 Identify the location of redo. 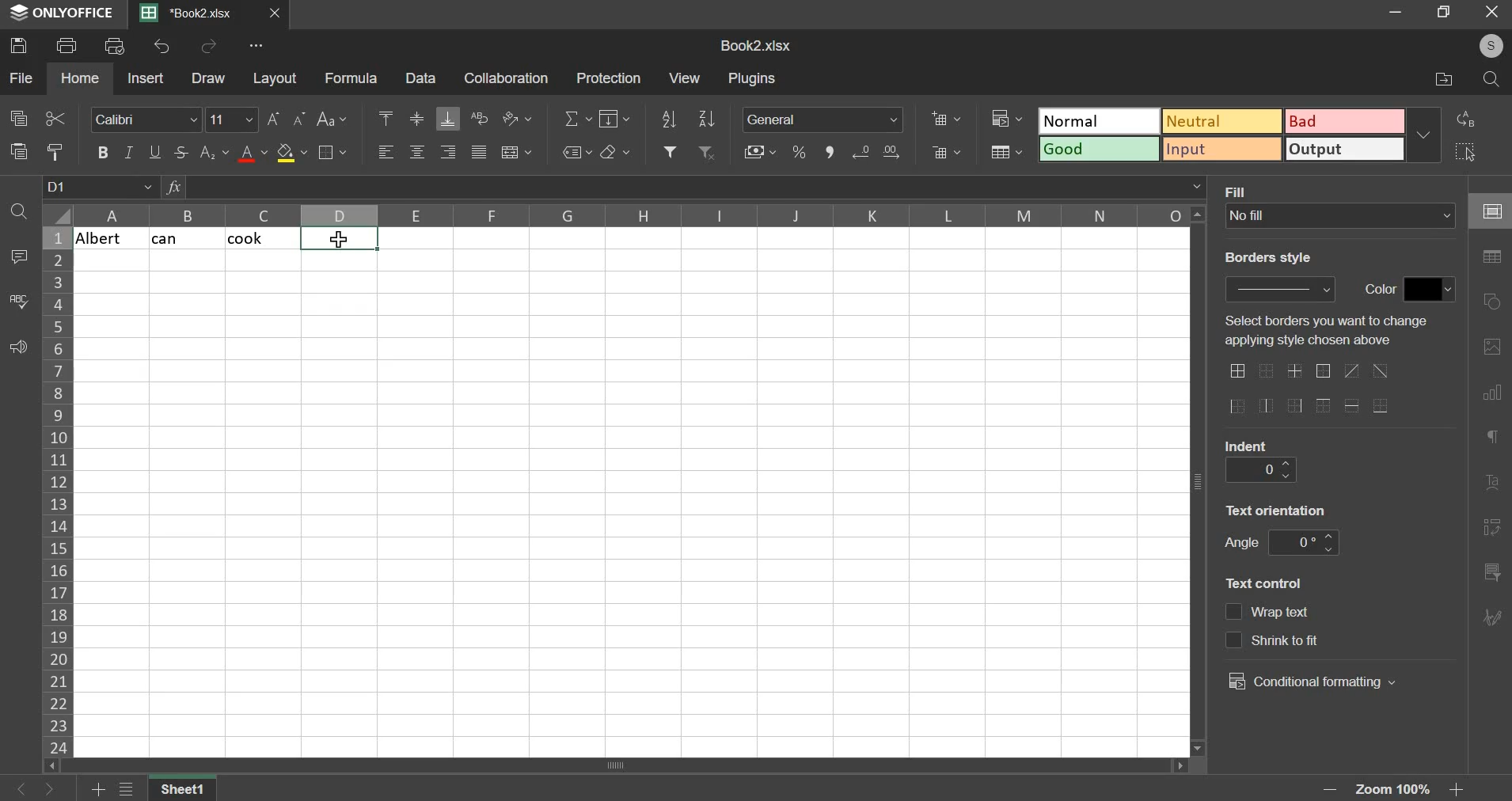
(211, 47).